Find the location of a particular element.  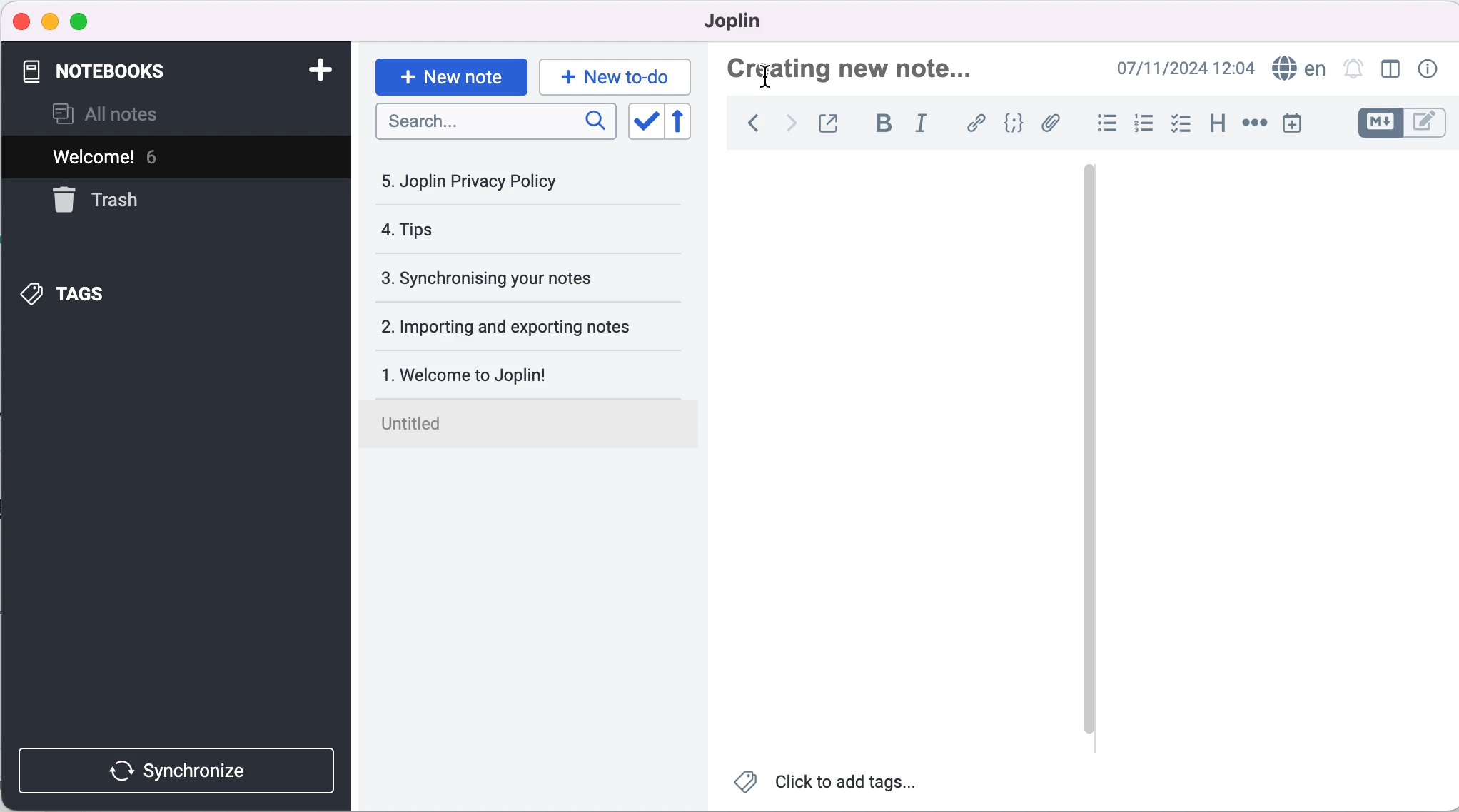

07/11/2024 09:02 is located at coordinates (1180, 68).